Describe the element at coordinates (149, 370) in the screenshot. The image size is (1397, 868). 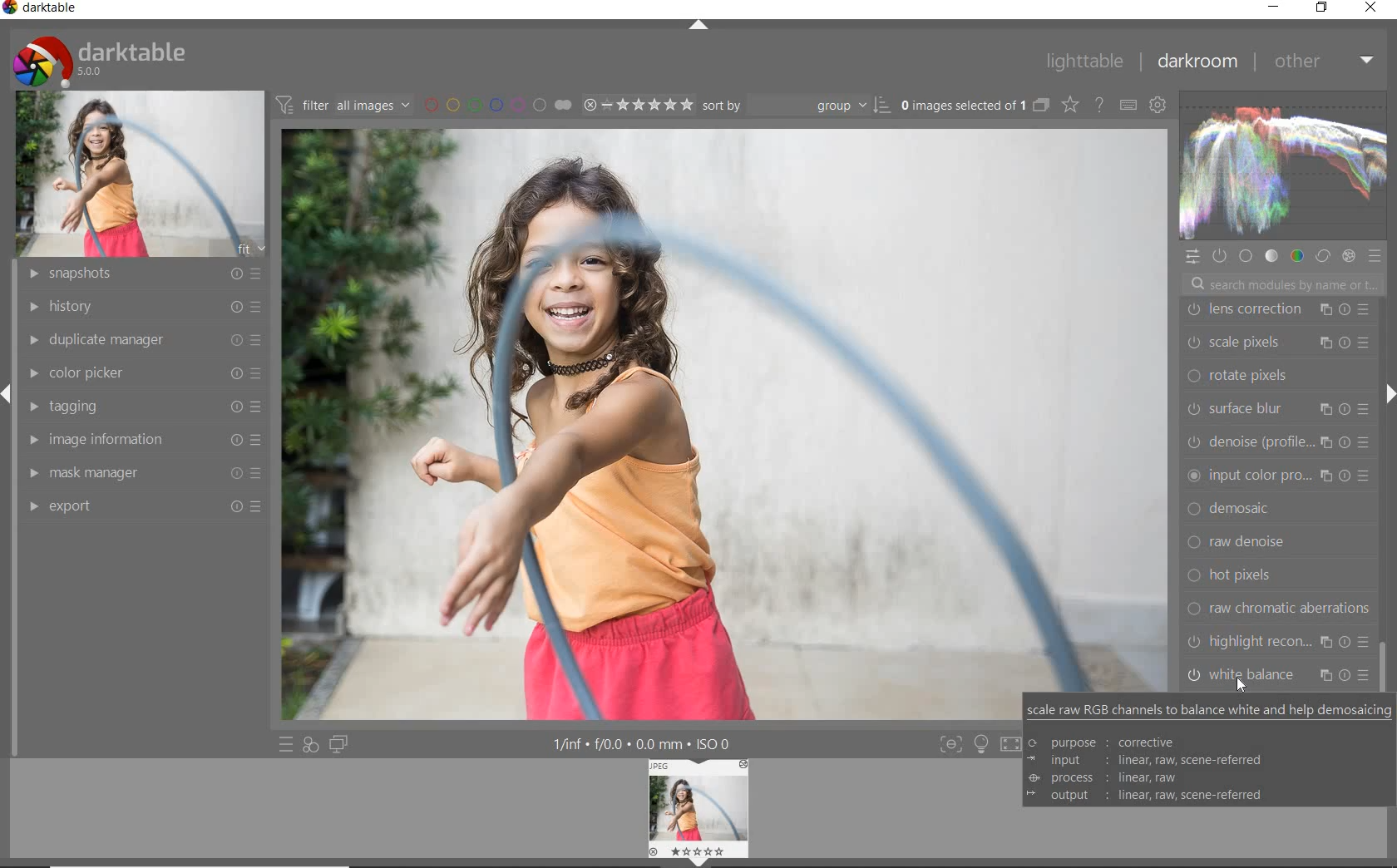
I see `color picker` at that location.